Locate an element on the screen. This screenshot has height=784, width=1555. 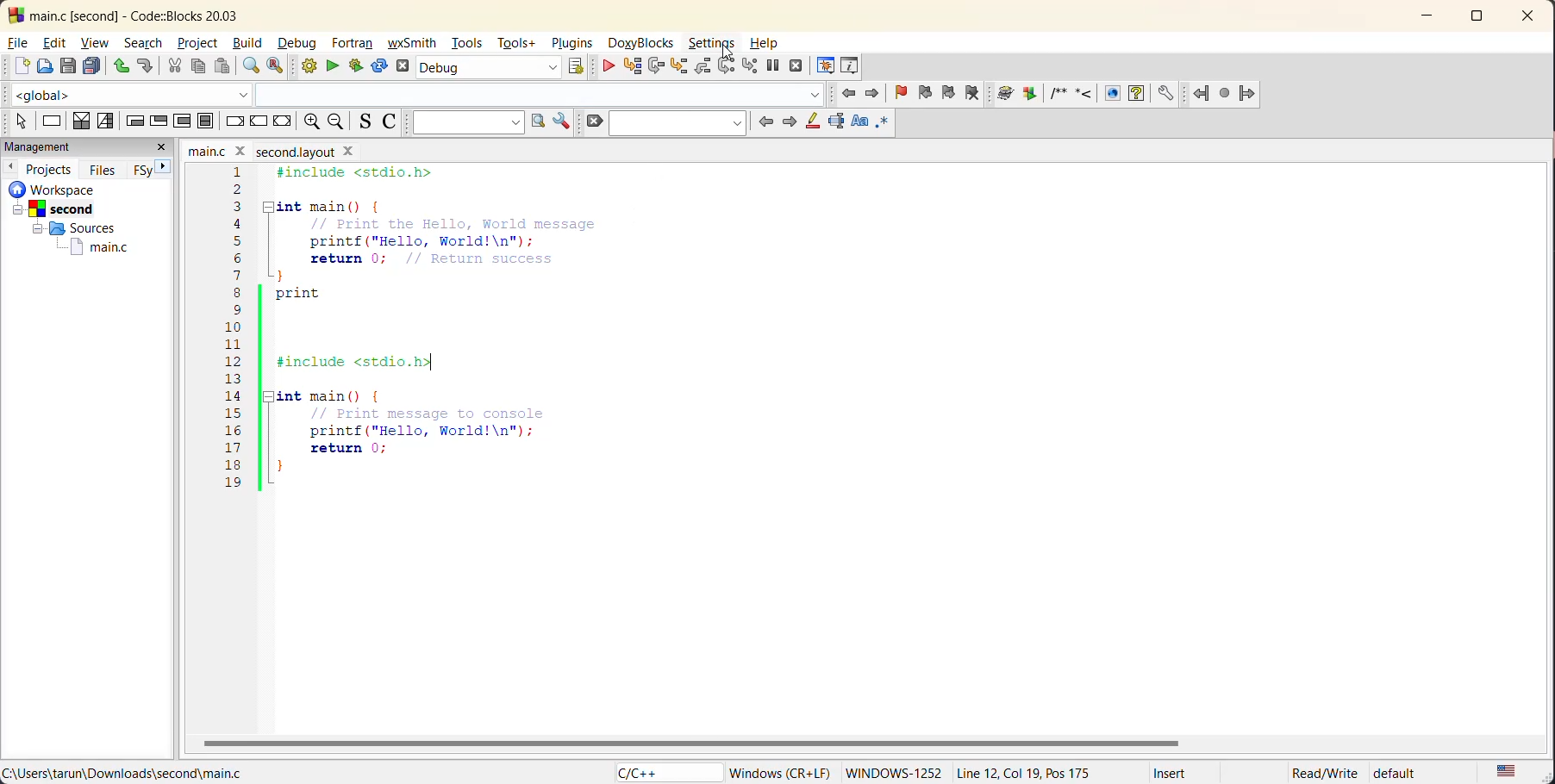
run is located at coordinates (330, 66).